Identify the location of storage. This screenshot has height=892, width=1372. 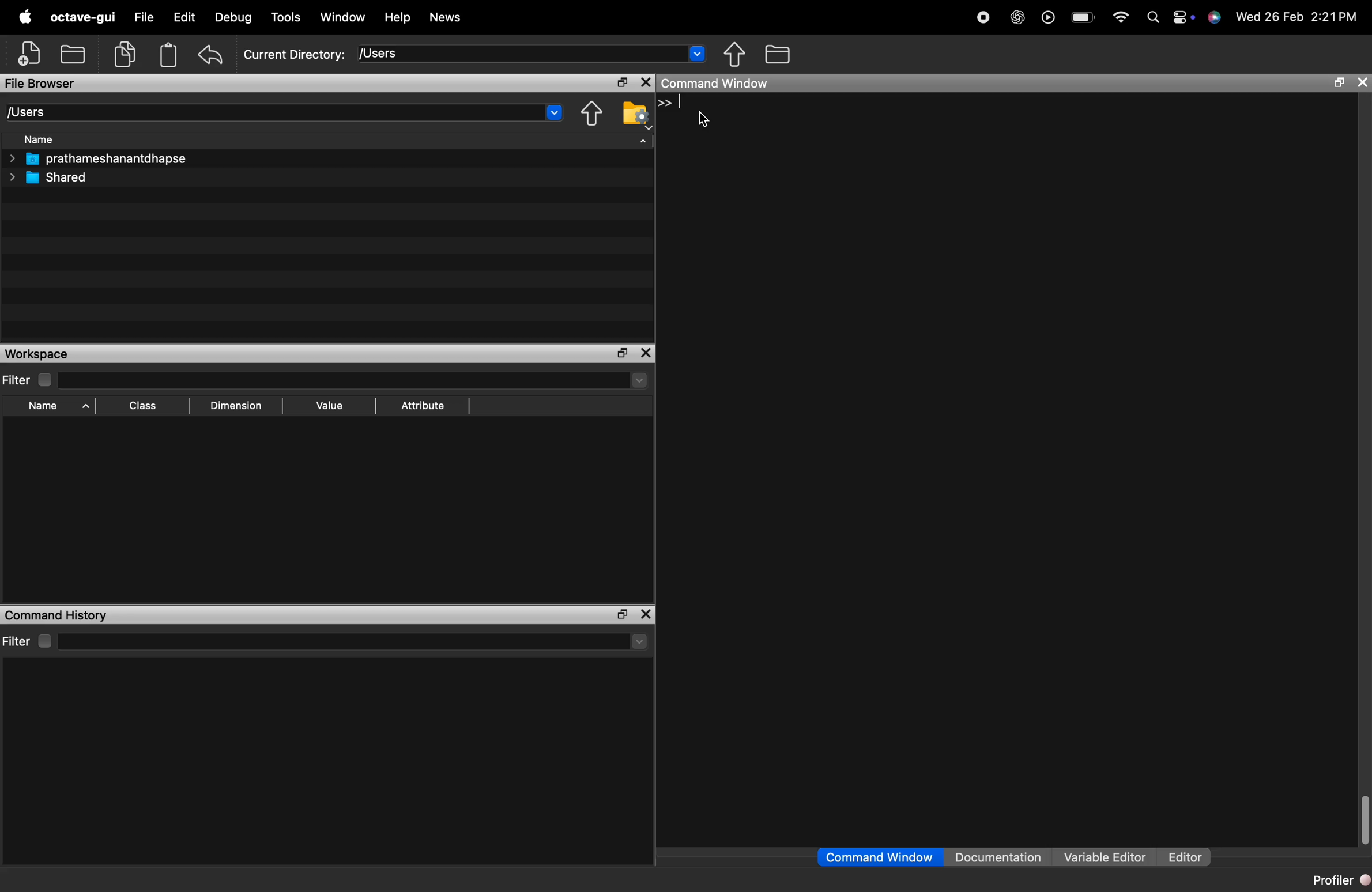
(169, 56).